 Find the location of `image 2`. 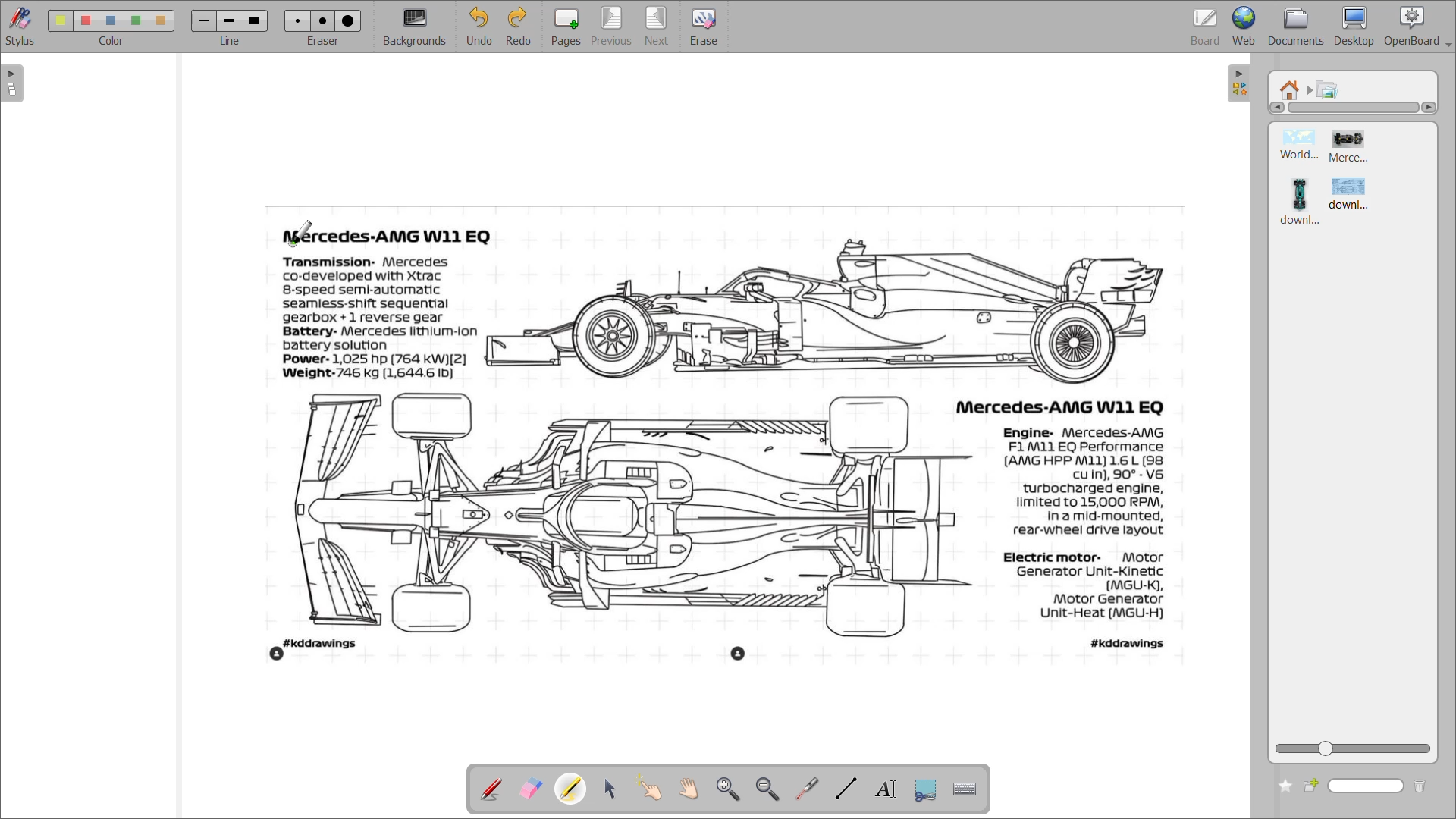

image 2 is located at coordinates (1349, 149).